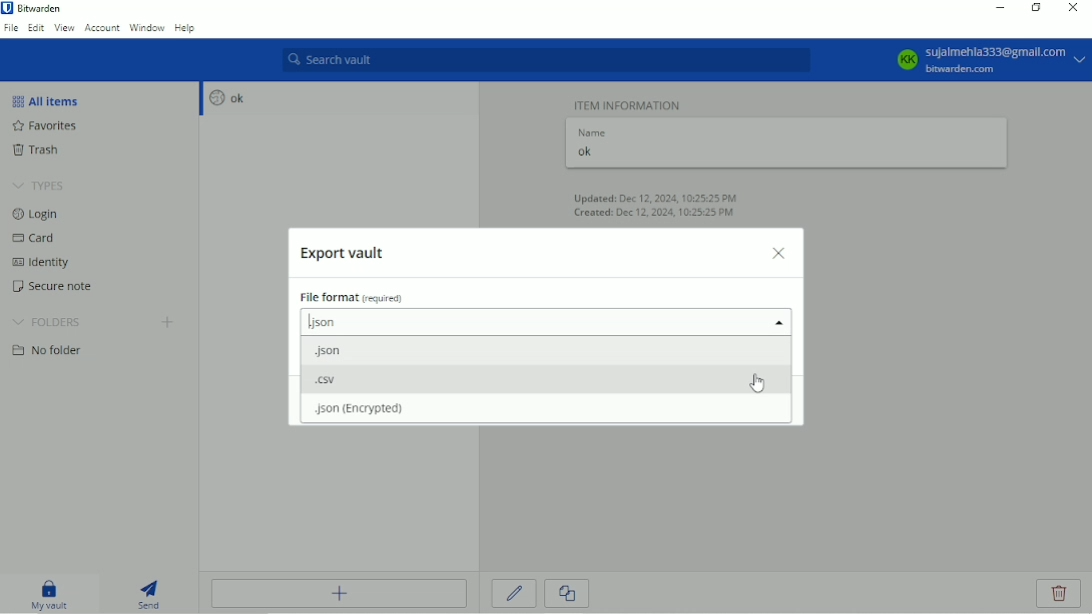  What do you see at coordinates (62, 289) in the screenshot?
I see `Secure note` at bounding box center [62, 289].